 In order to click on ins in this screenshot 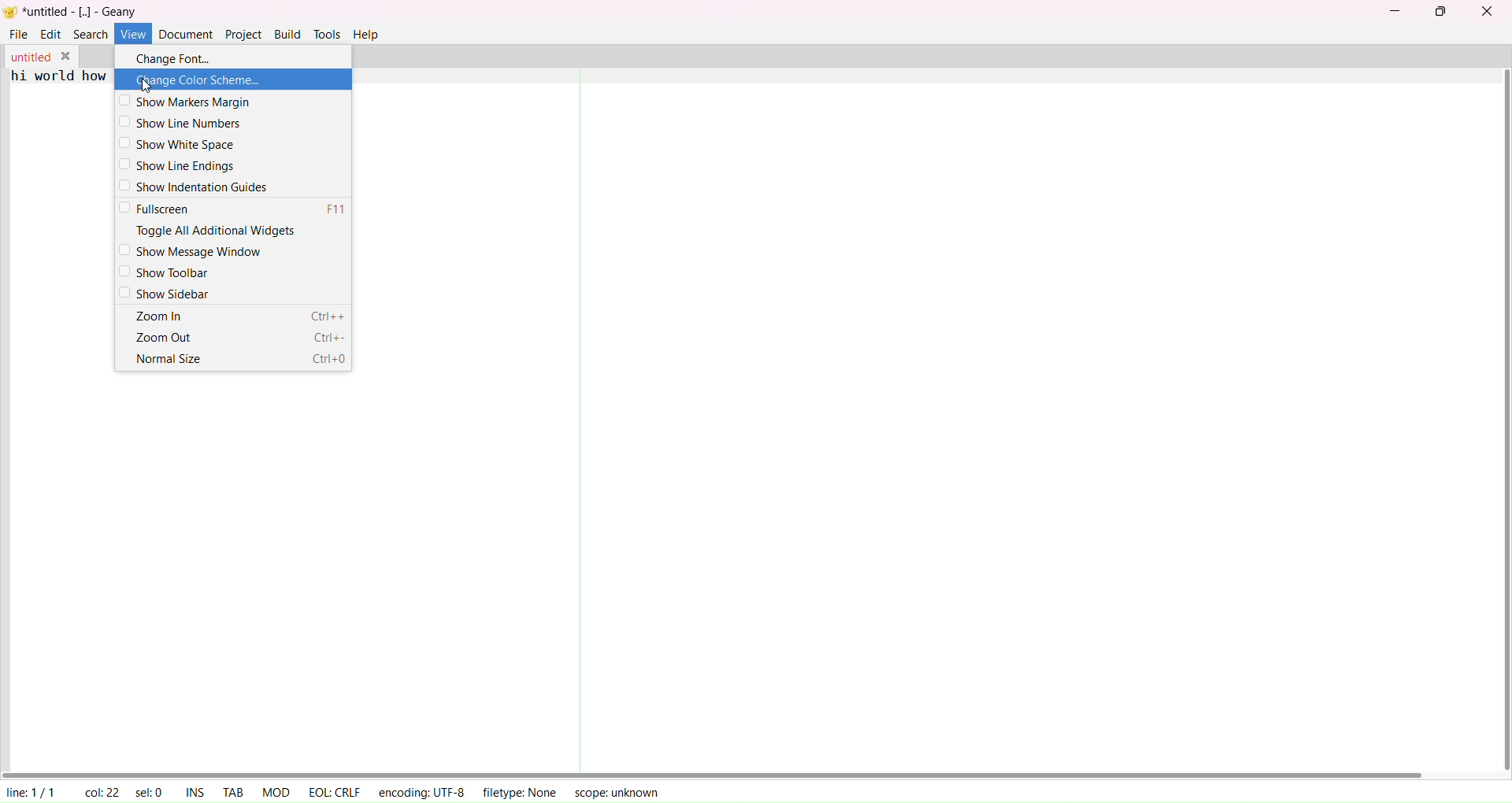, I will do `click(196, 790)`.